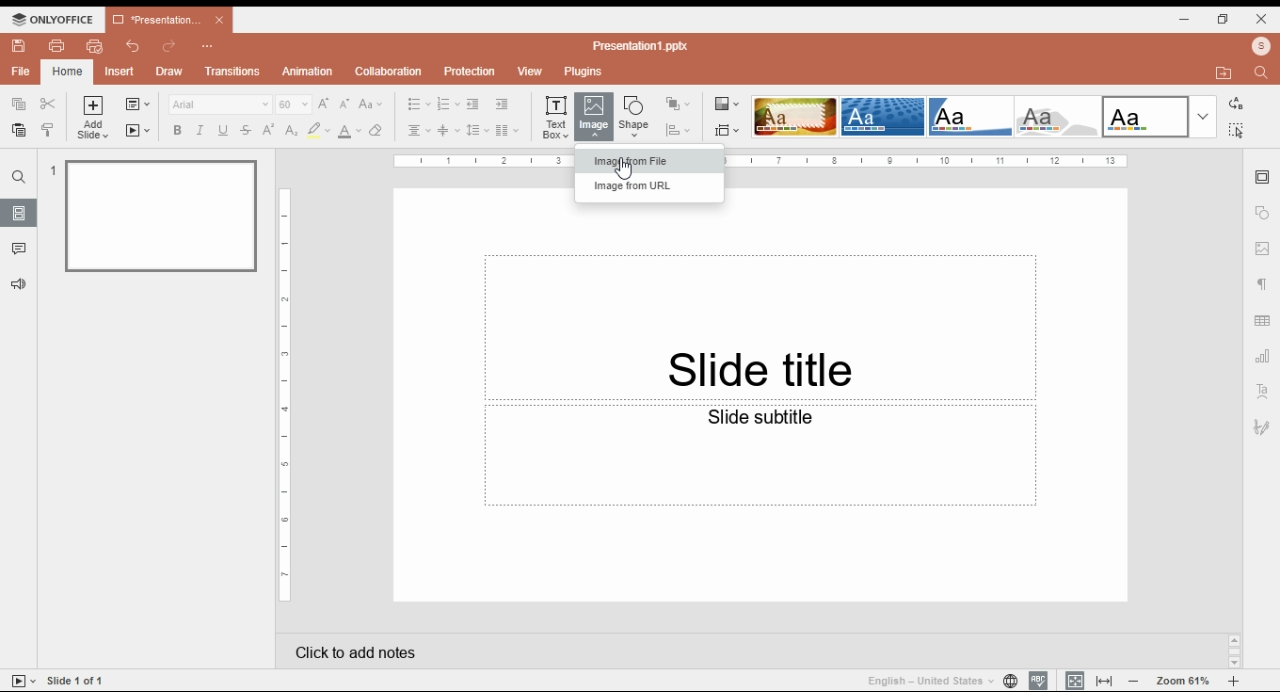 The width and height of the screenshot is (1280, 692). Describe the element at coordinates (371, 104) in the screenshot. I see `change case` at that location.